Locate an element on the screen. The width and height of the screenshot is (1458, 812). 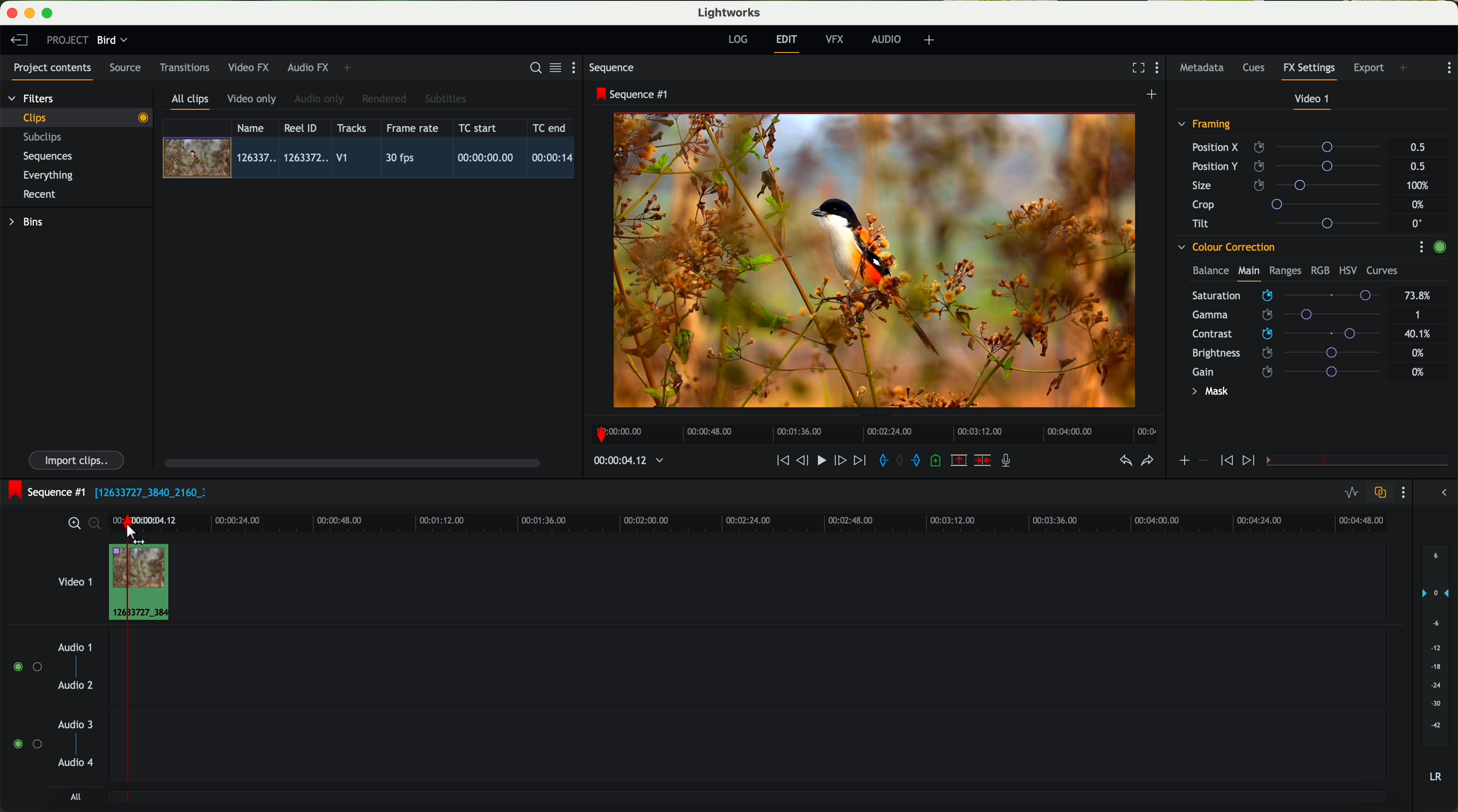
0% is located at coordinates (1418, 351).